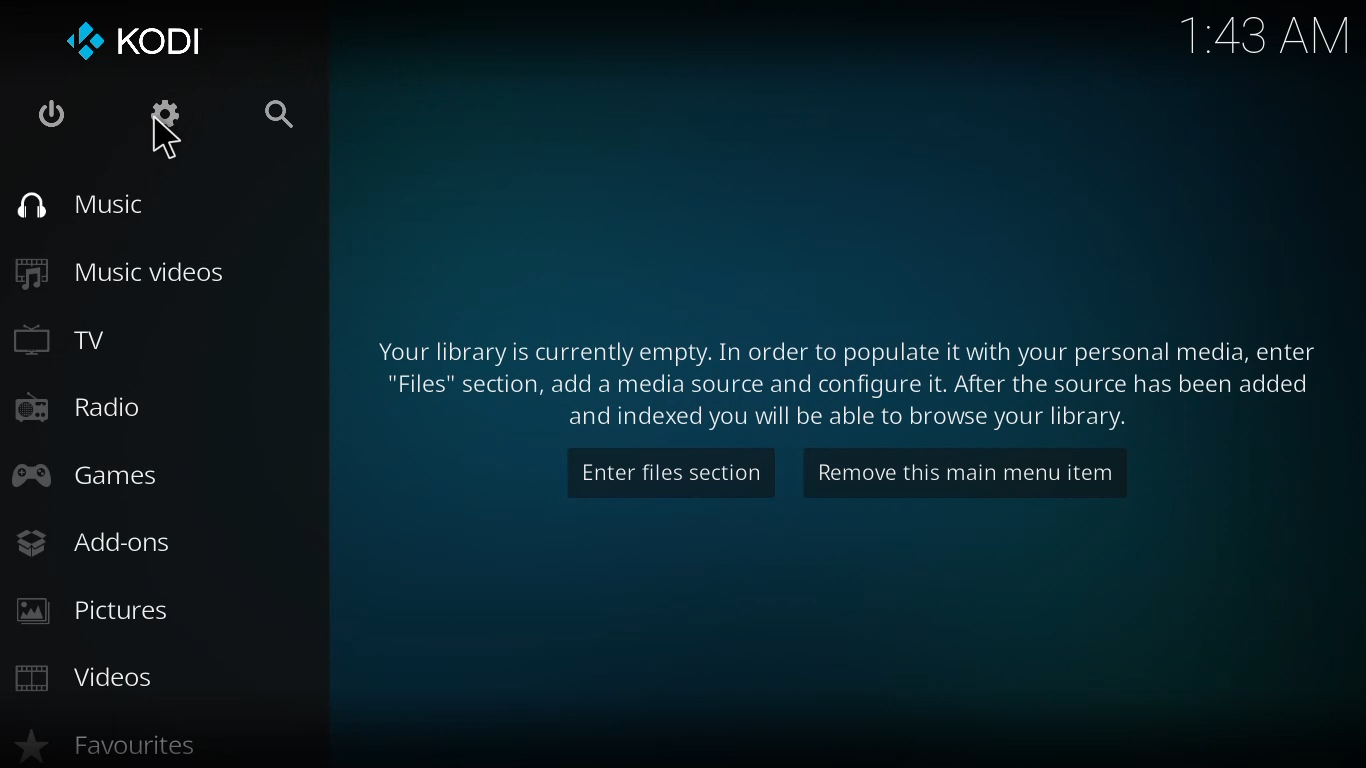  I want to click on radio, so click(75, 405).